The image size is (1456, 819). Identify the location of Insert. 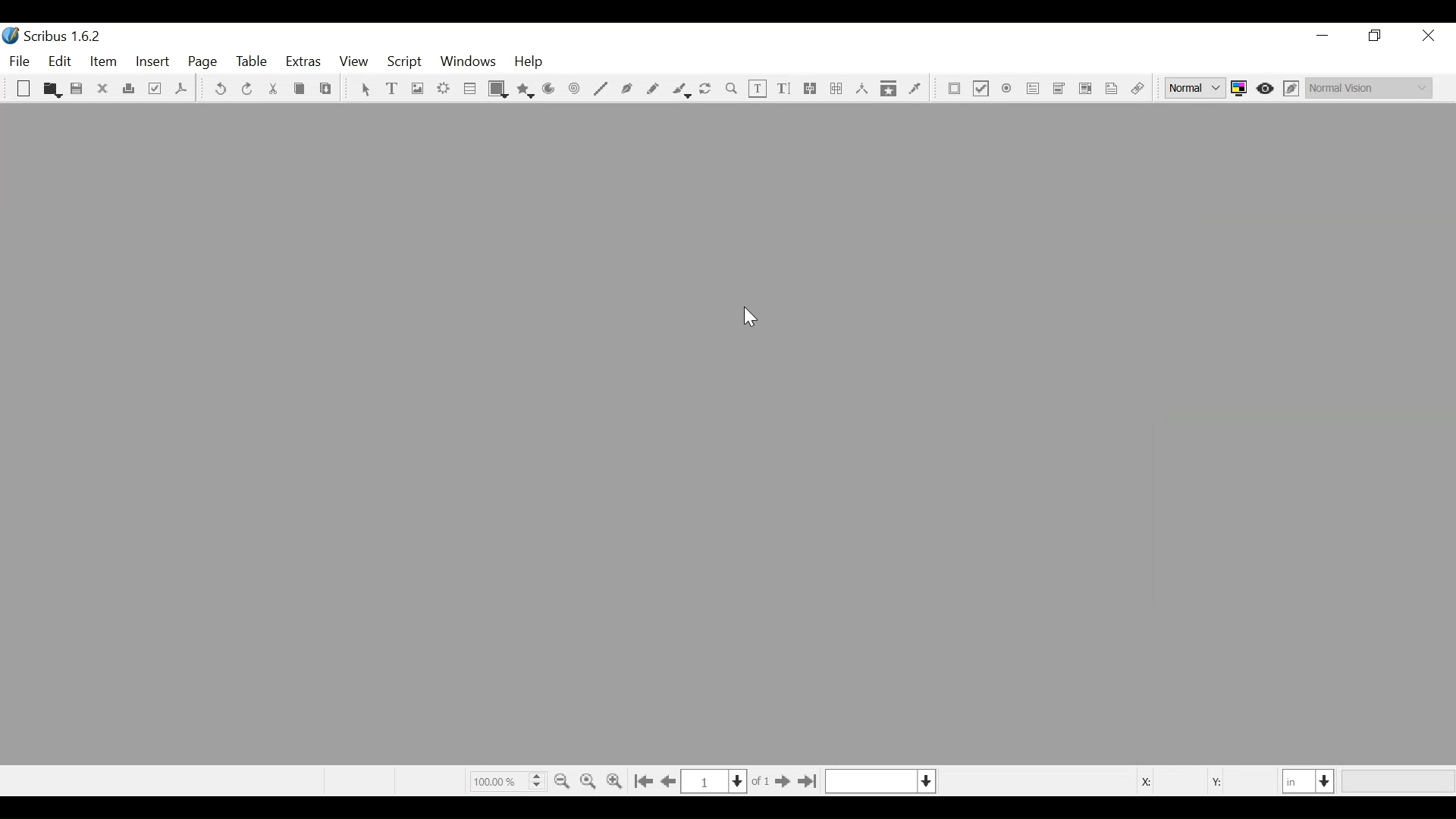
(153, 64).